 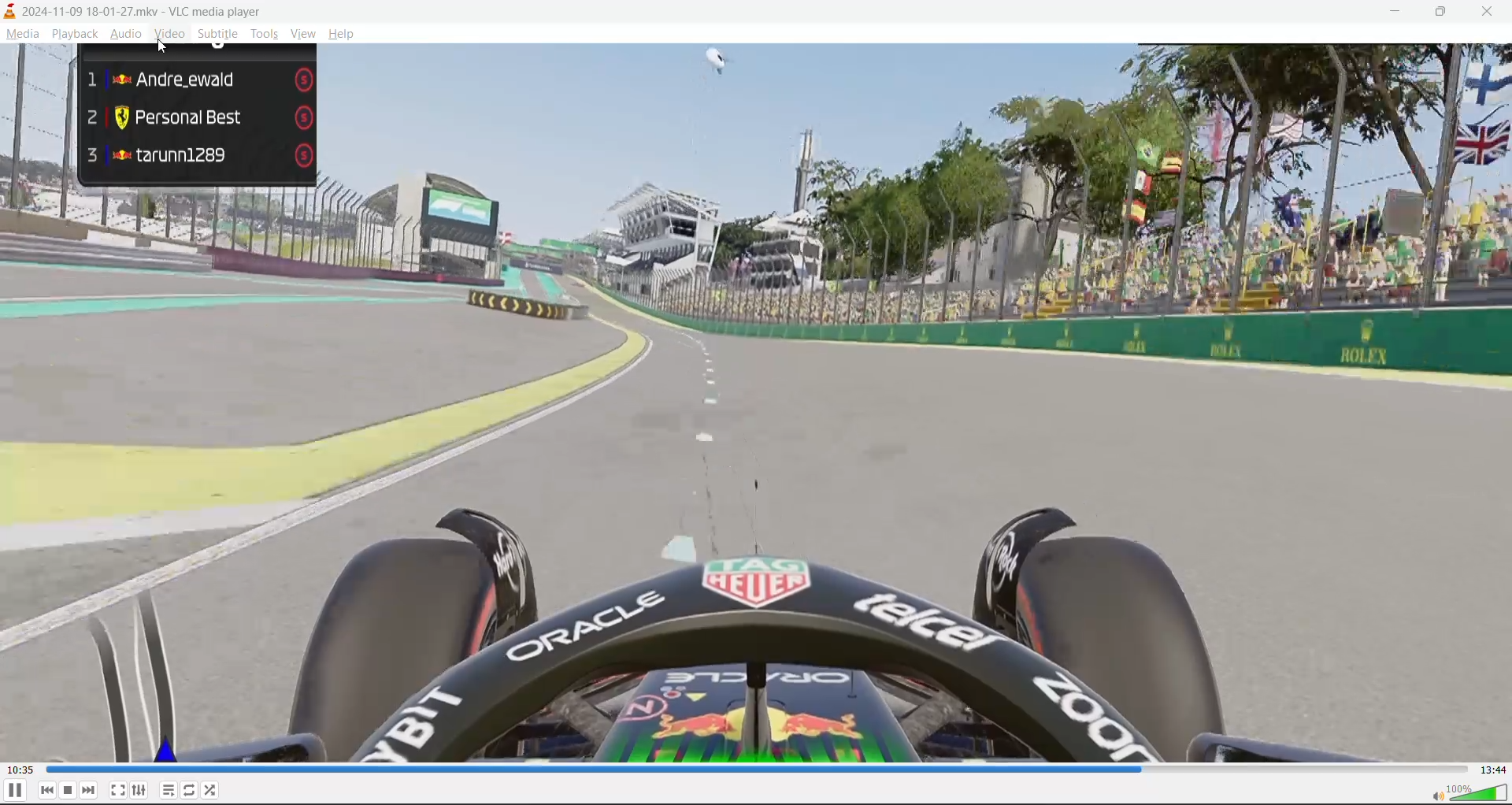 I want to click on media, so click(x=23, y=34).